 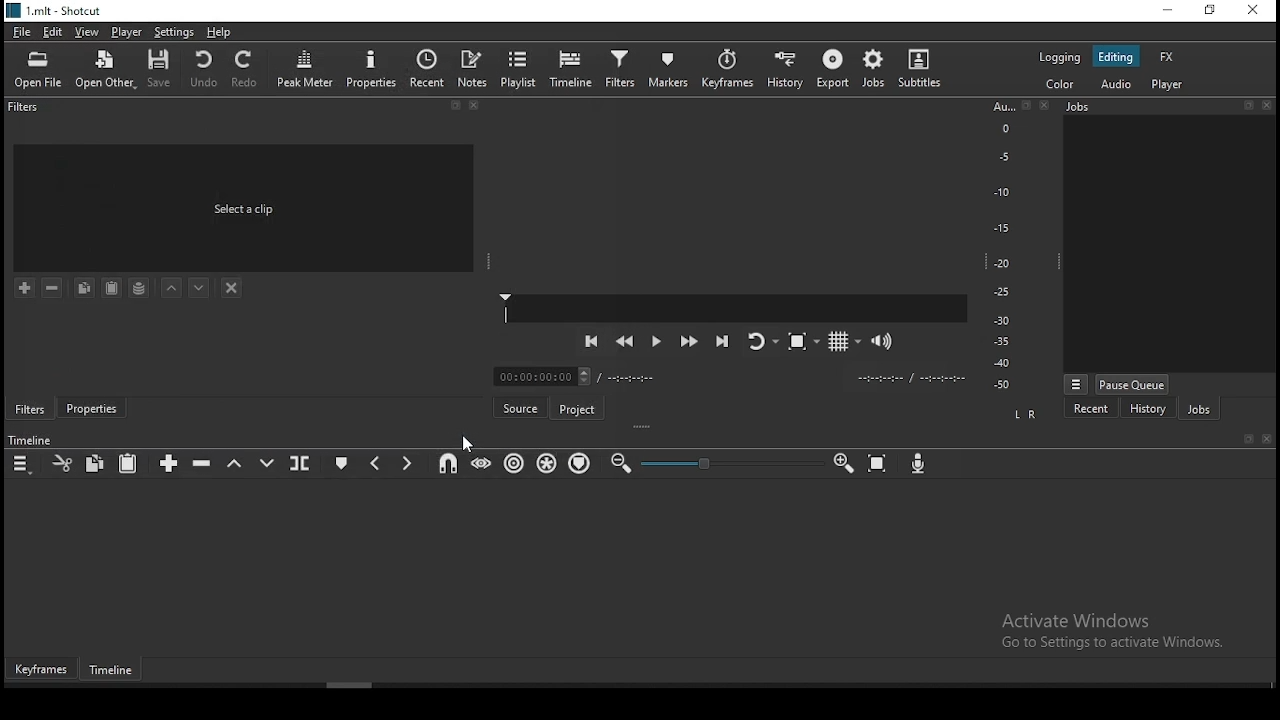 I want to click on history, so click(x=1148, y=409).